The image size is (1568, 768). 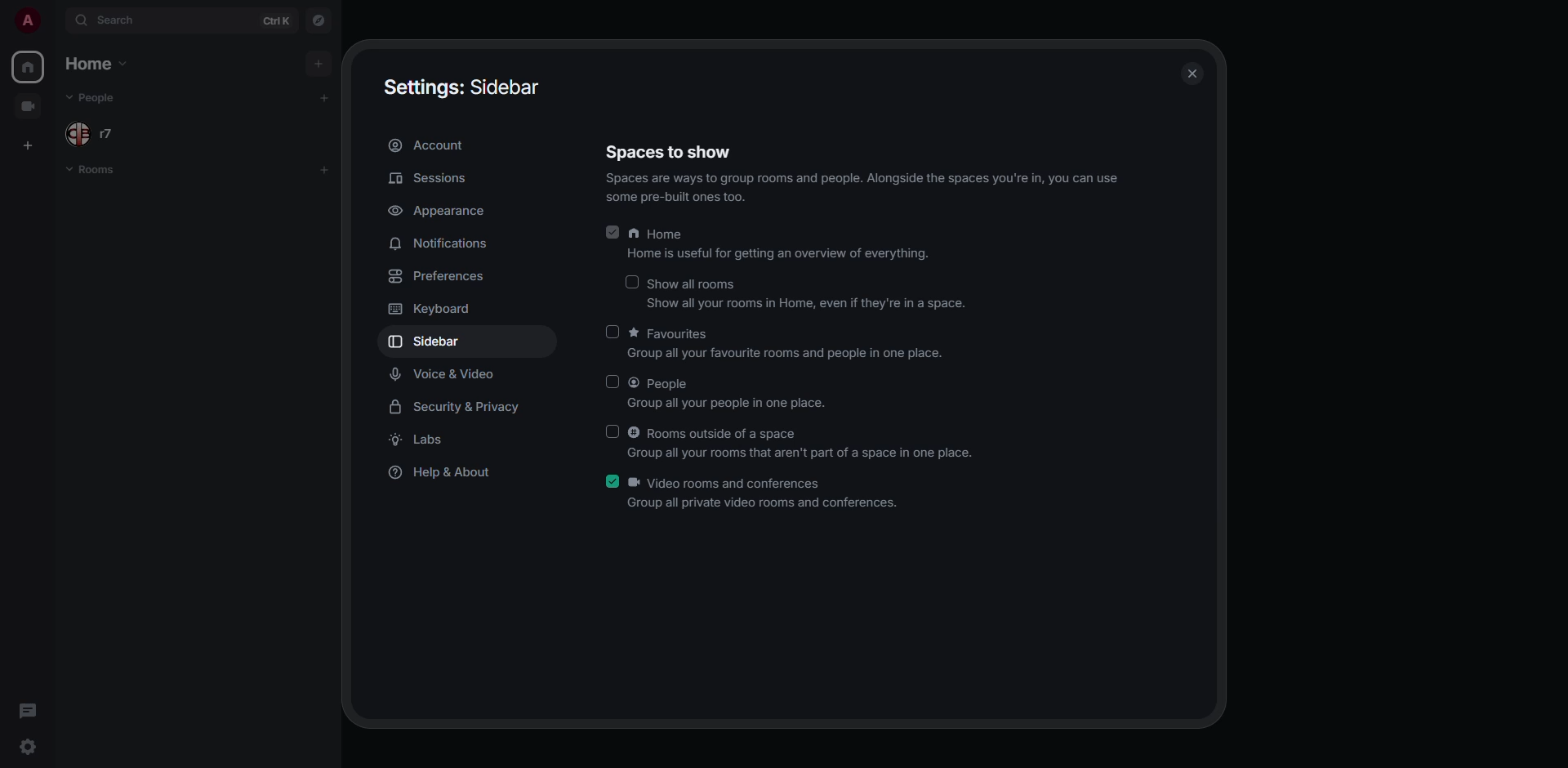 I want to click on keyboard, so click(x=434, y=308).